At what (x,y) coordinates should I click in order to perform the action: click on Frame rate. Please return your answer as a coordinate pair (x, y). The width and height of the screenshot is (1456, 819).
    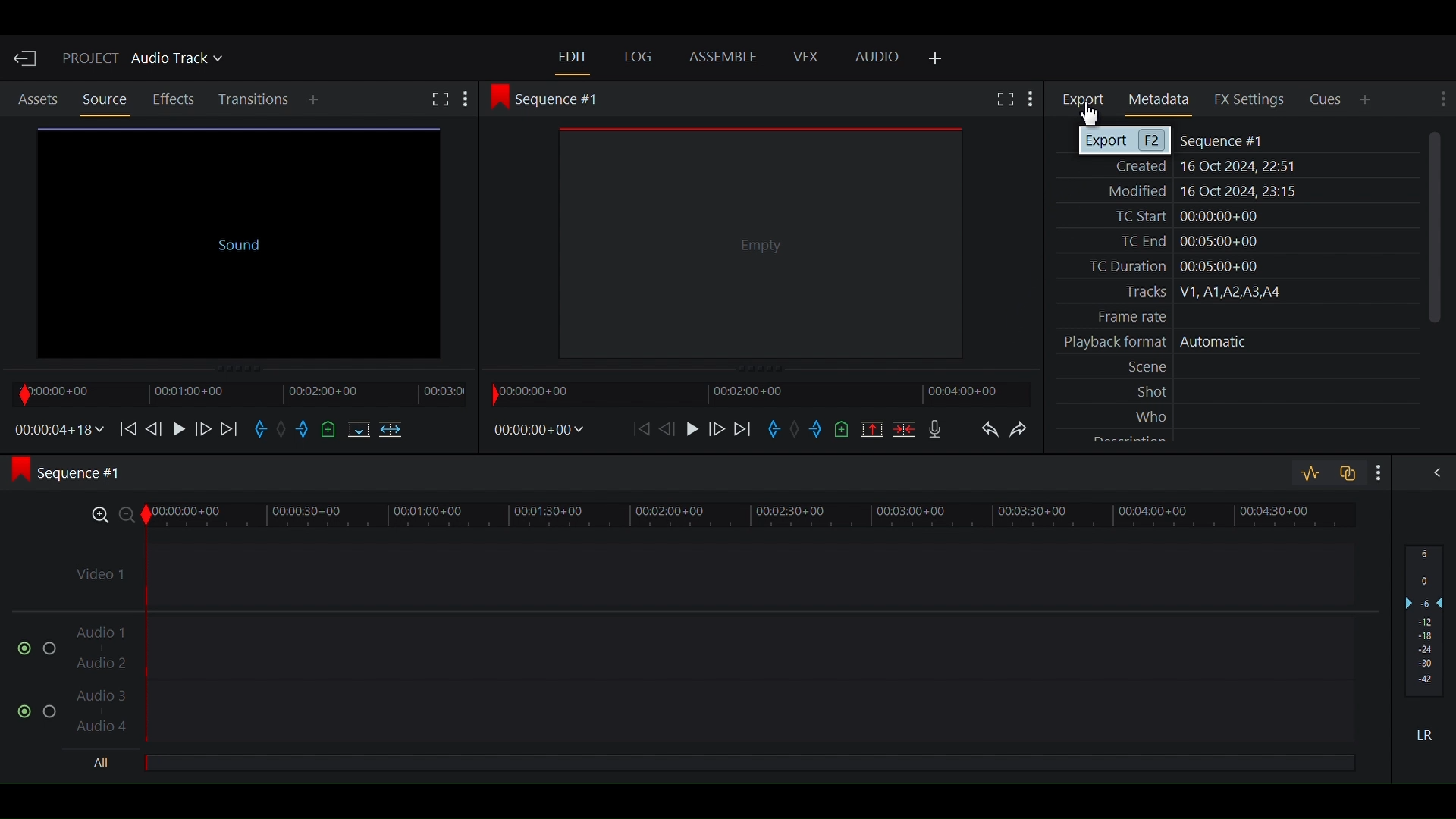
    Looking at the image, I should click on (1122, 317).